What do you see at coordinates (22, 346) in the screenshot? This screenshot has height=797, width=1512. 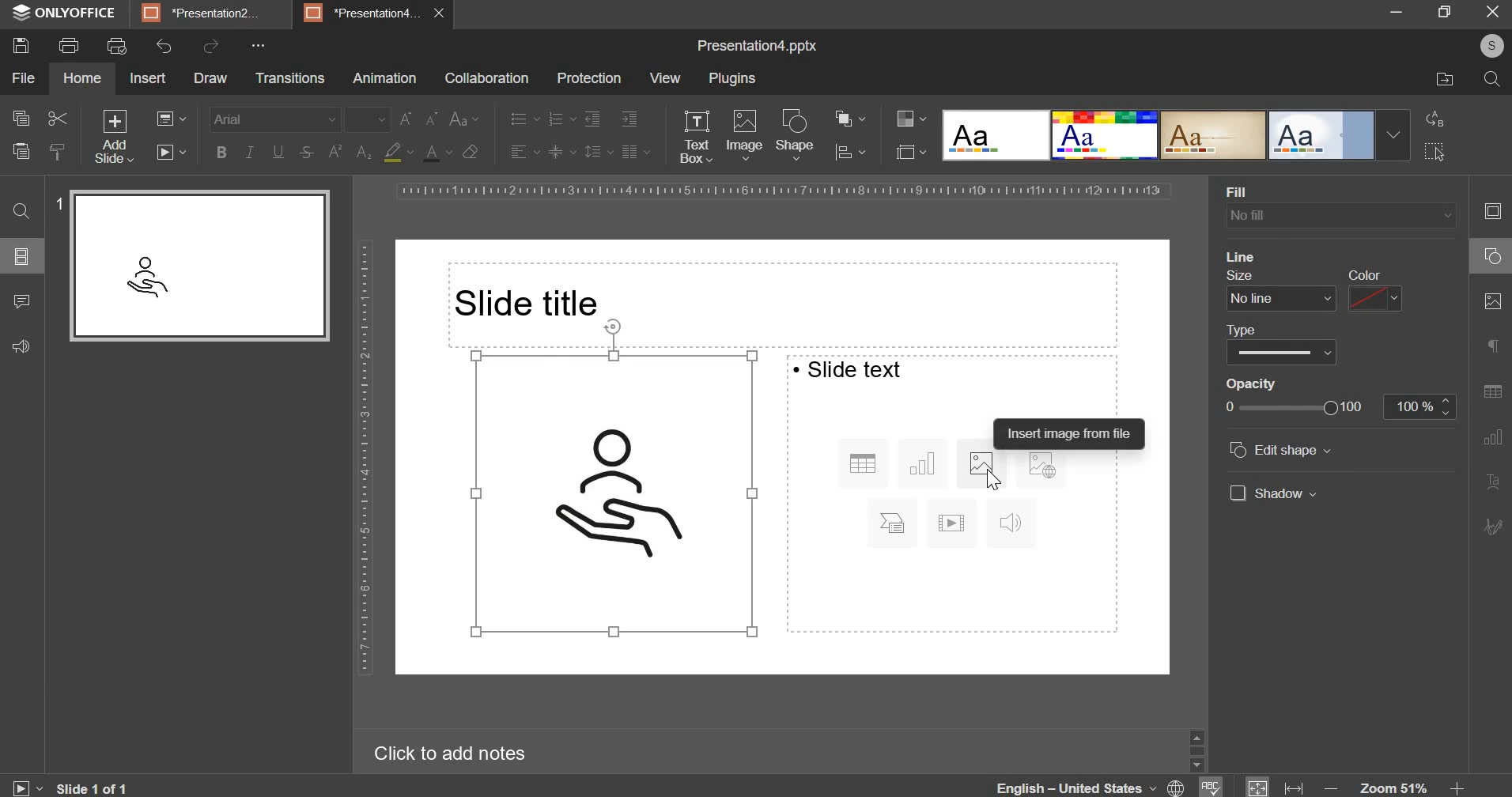 I see `feedback` at bounding box center [22, 346].